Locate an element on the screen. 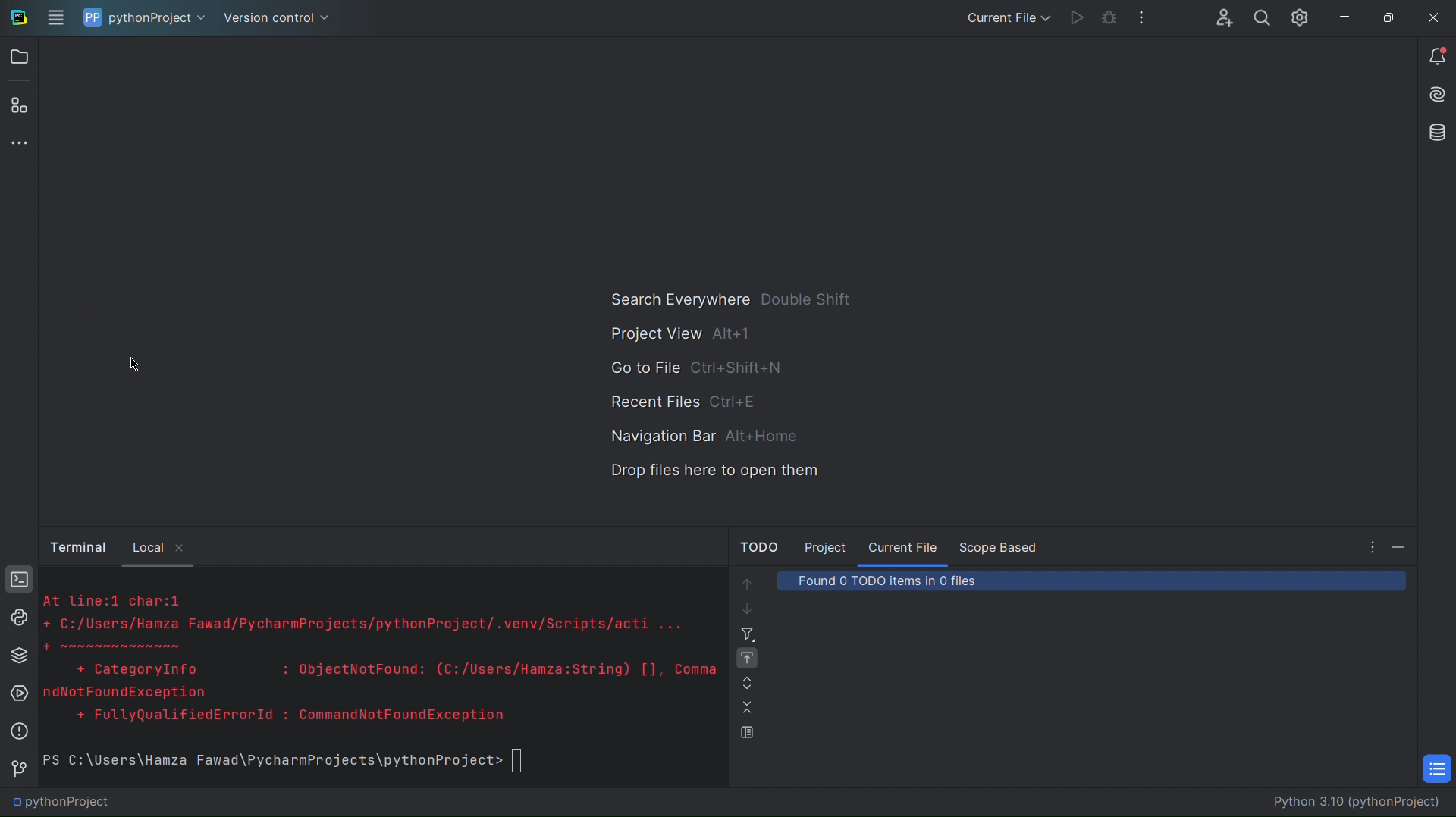 This screenshot has height=817, width=1456. Filter is located at coordinates (746, 632).